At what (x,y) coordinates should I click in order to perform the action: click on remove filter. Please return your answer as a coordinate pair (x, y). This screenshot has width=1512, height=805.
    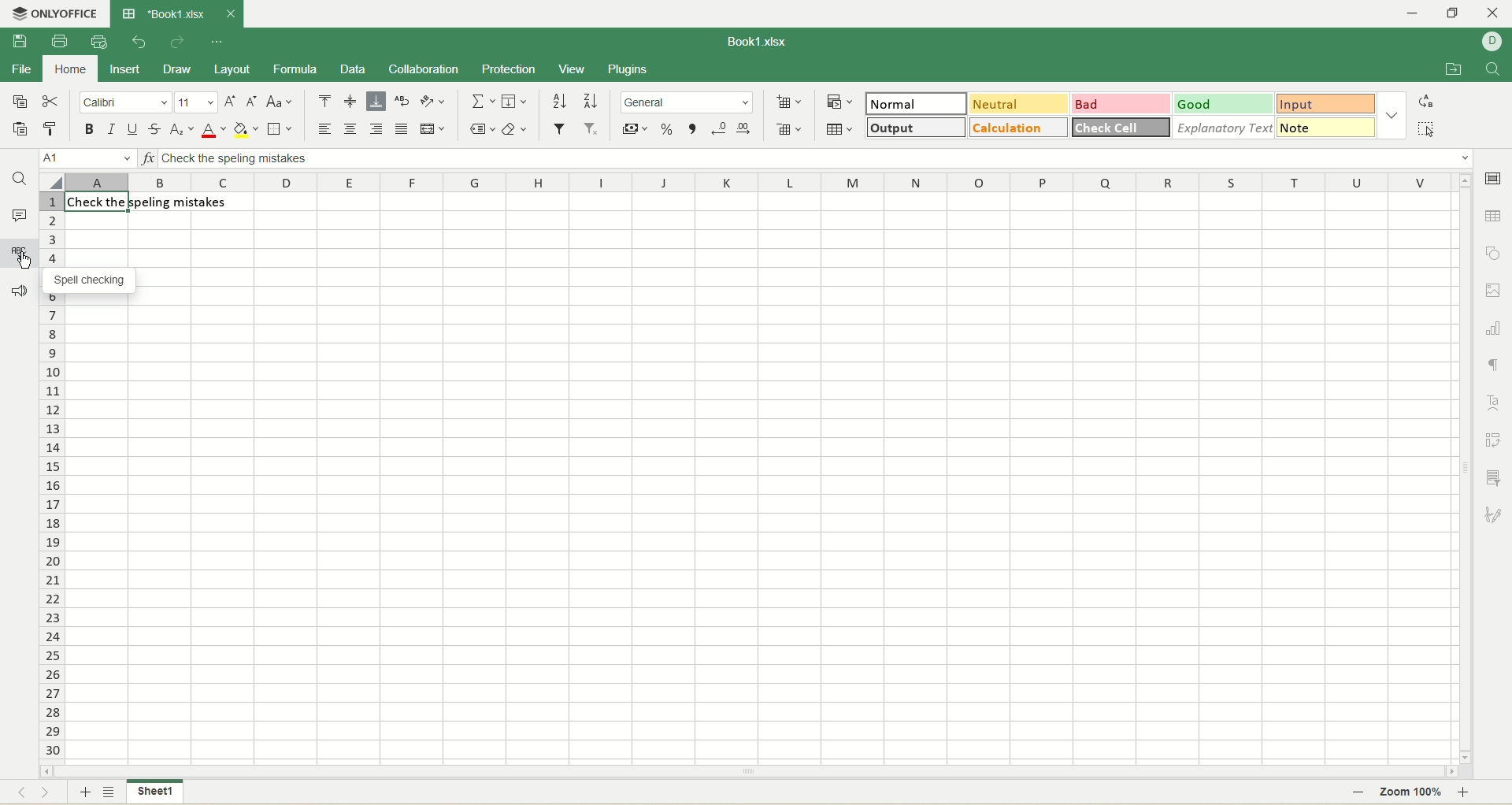
    Looking at the image, I should click on (588, 129).